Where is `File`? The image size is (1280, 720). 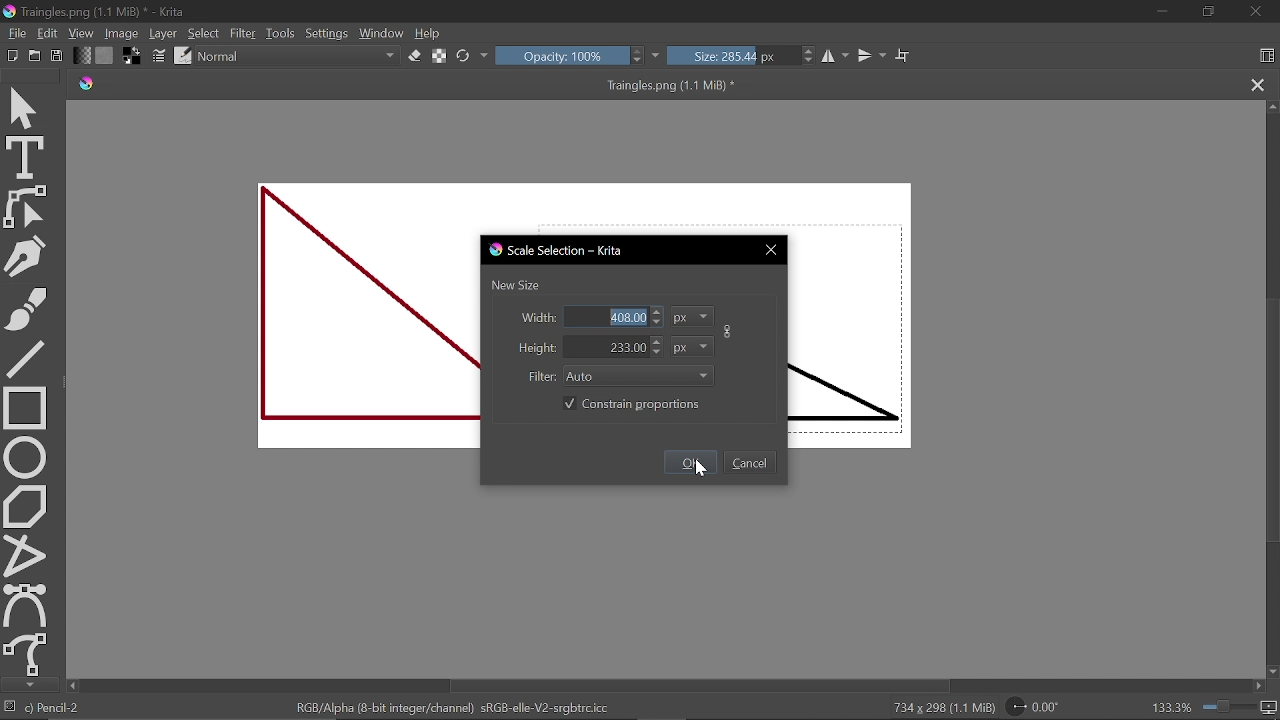
File is located at coordinates (15, 32).